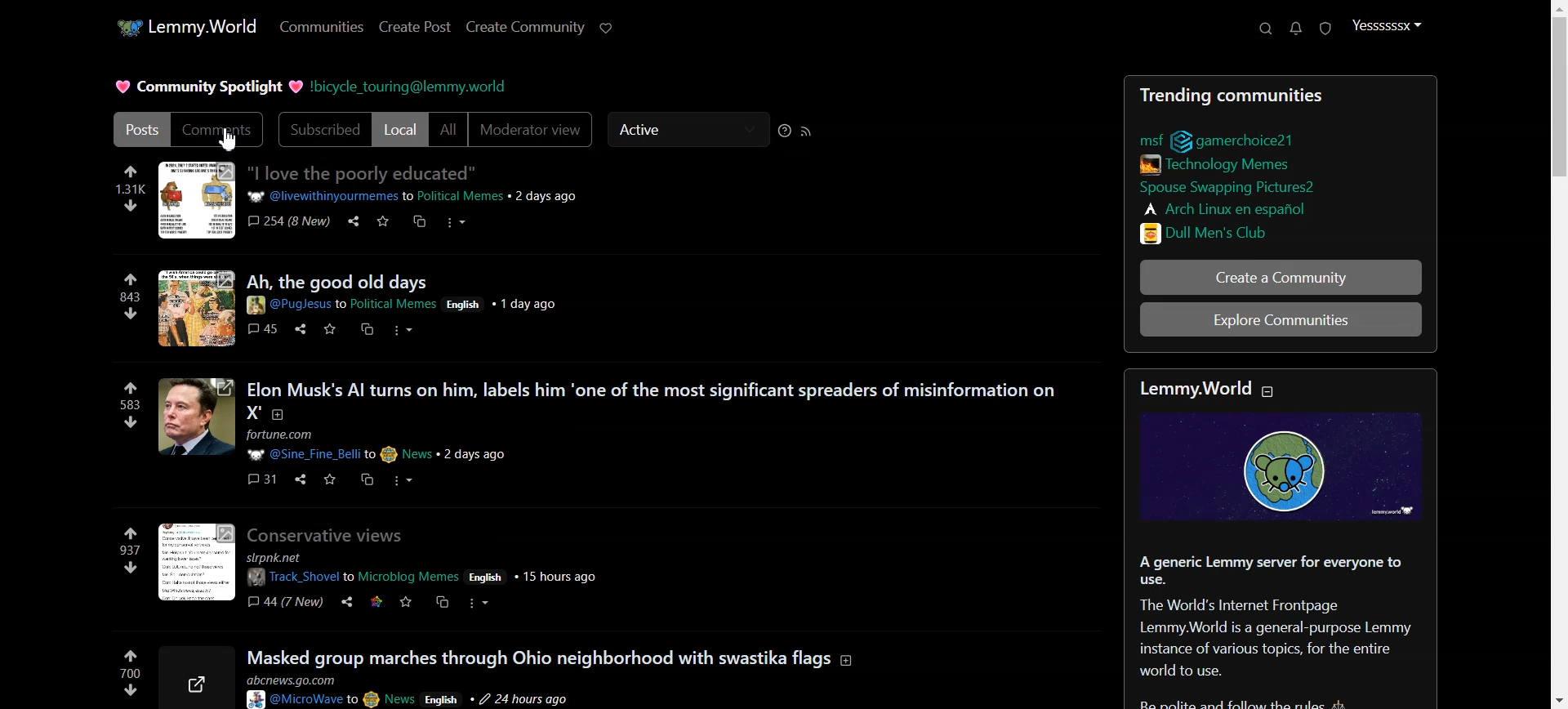 The width and height of the screenshot is (1568, 709). What do you see at coordinates (684, 131) in the screenshot?
I see `Active` at bounding box center [684, 131].